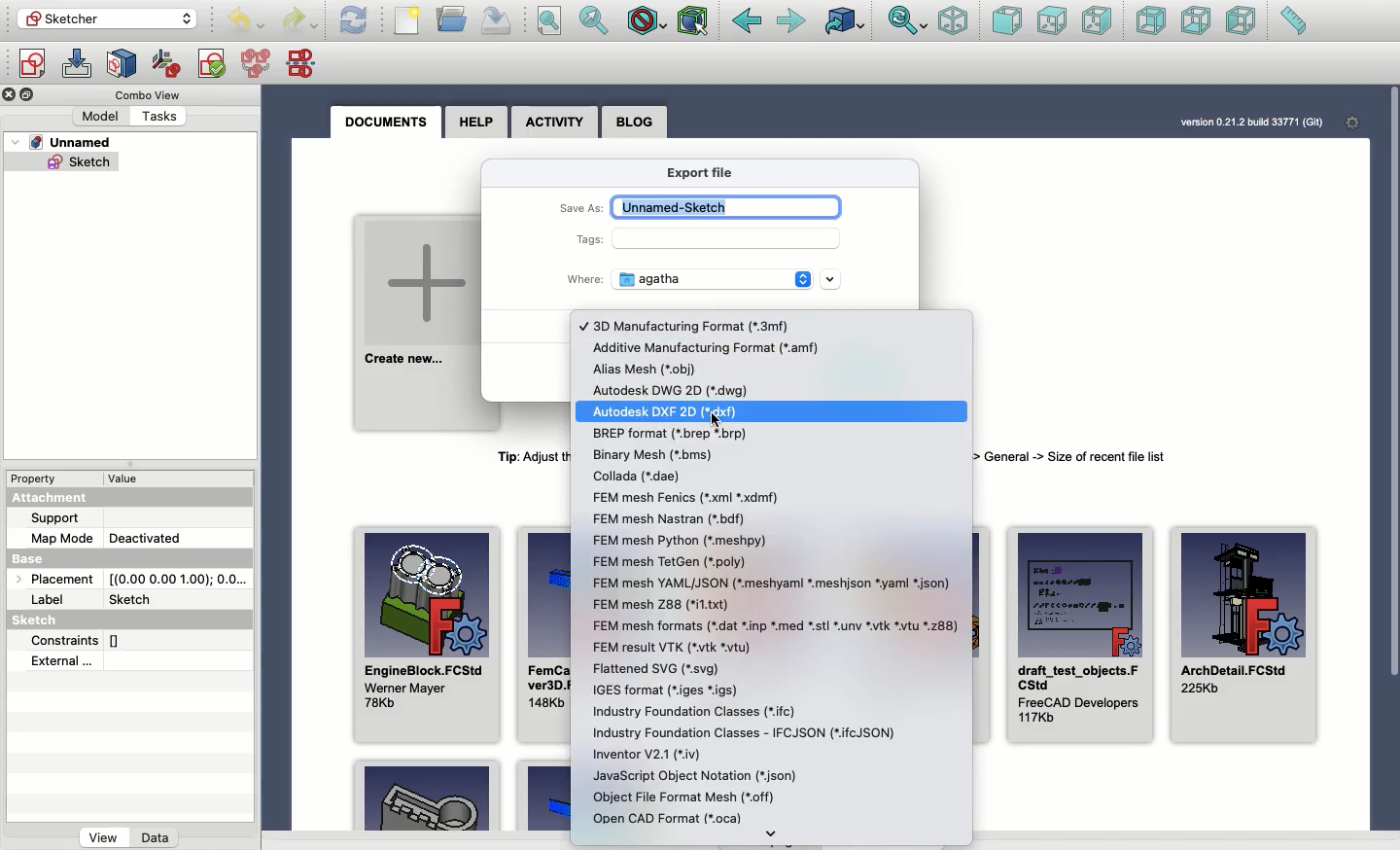 Image resolution: width=1400 pixels, height=850 pixels. I want to click on Constraints [], so click(82, 640).